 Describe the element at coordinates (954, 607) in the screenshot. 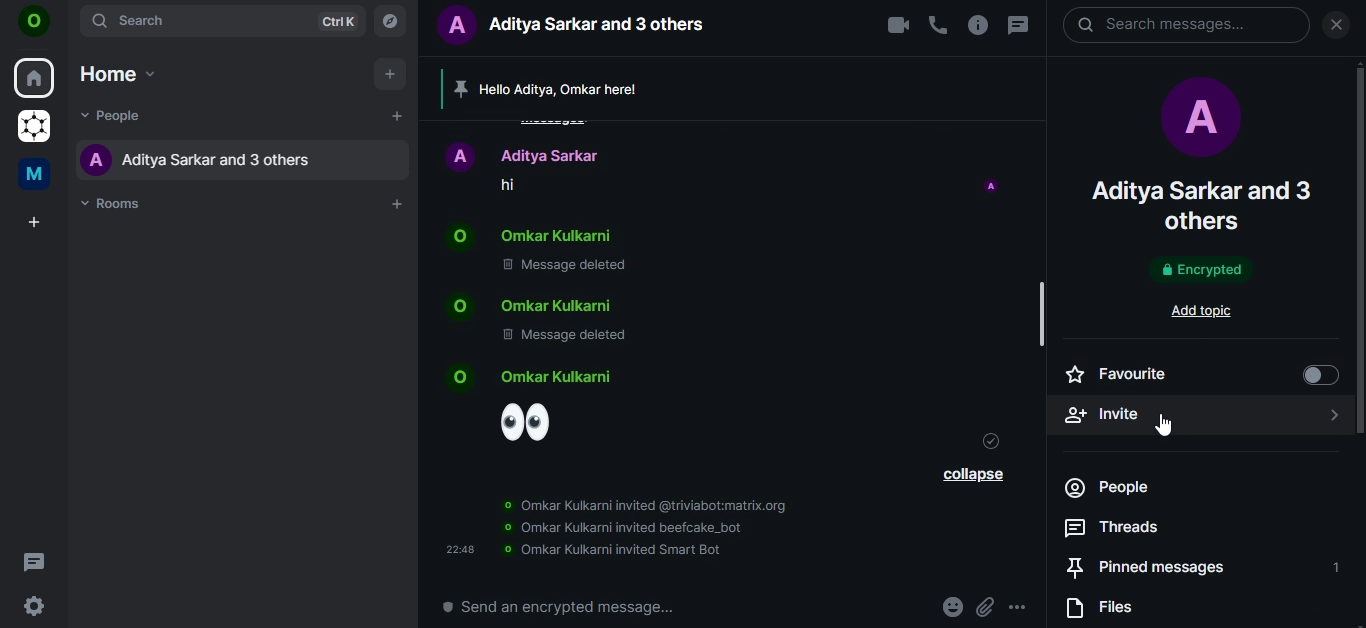

I see `emoji` at that location.